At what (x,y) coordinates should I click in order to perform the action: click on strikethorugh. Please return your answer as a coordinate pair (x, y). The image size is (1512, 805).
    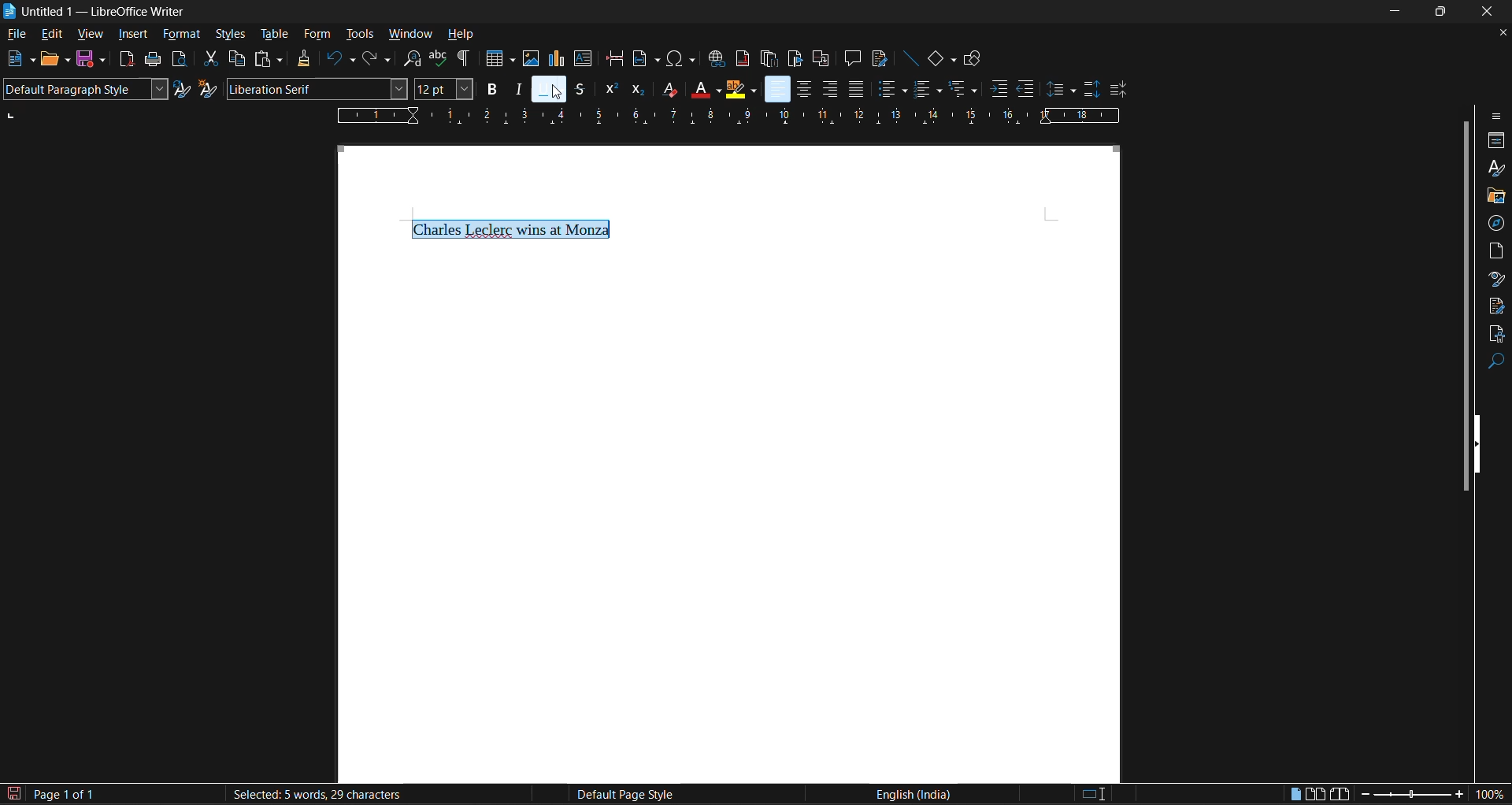
    Looking at the image, I should click on (580, 90).